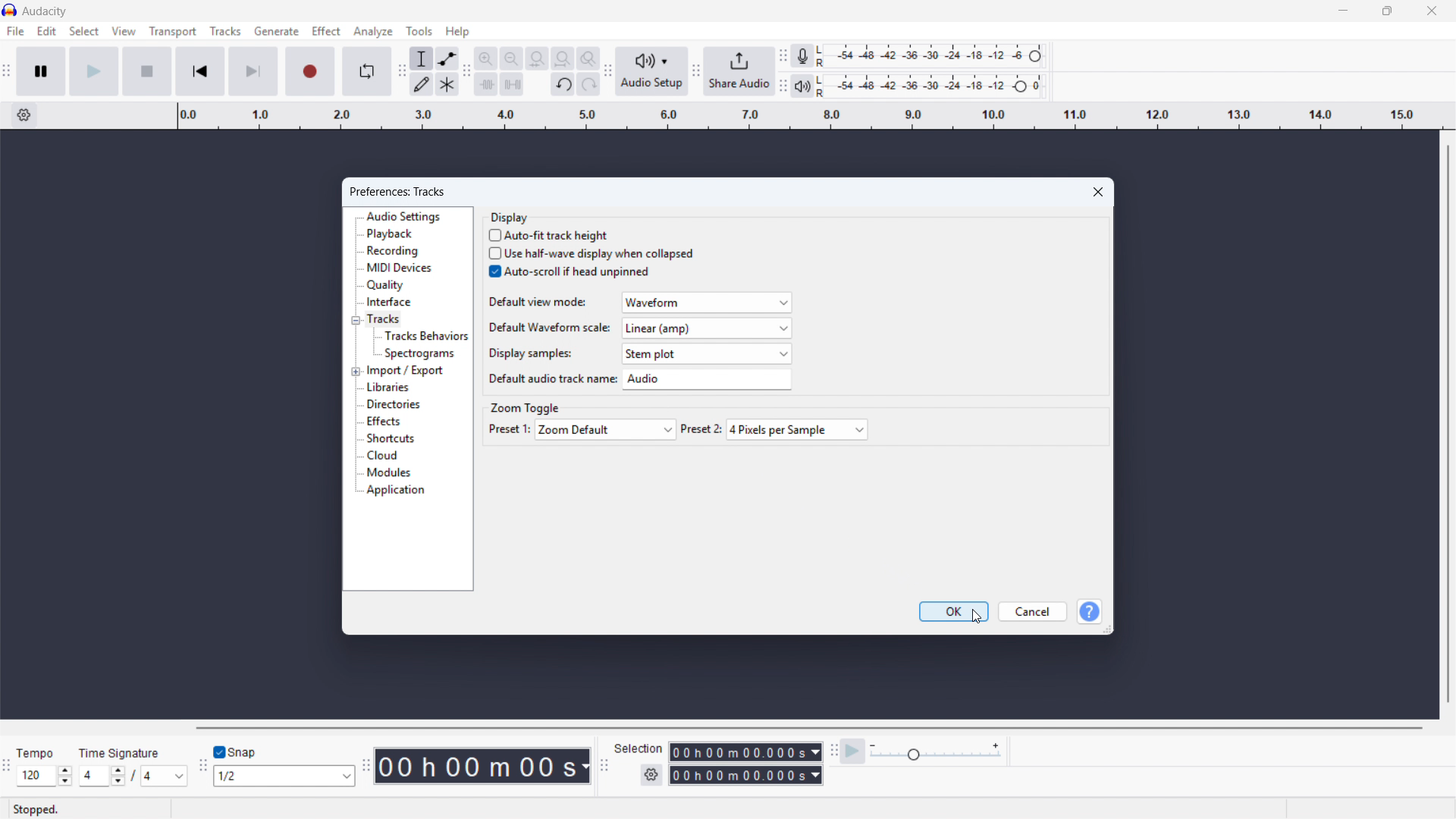  Describe the element at coordinates (383, 320) in the screenshot. I see `tracks` at that location.